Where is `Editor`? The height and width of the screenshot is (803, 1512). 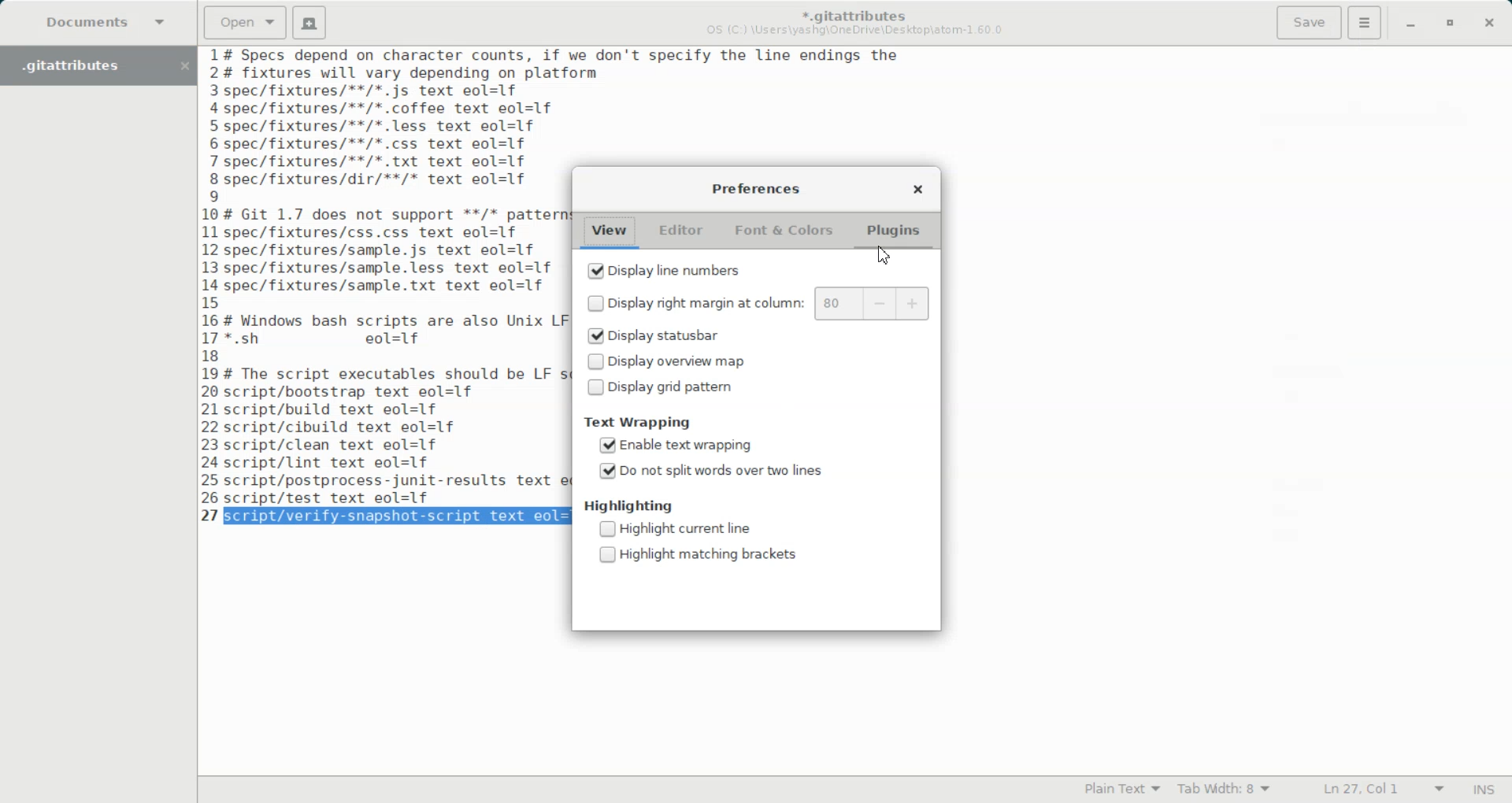 Editor is located at coordinates (680, 231).